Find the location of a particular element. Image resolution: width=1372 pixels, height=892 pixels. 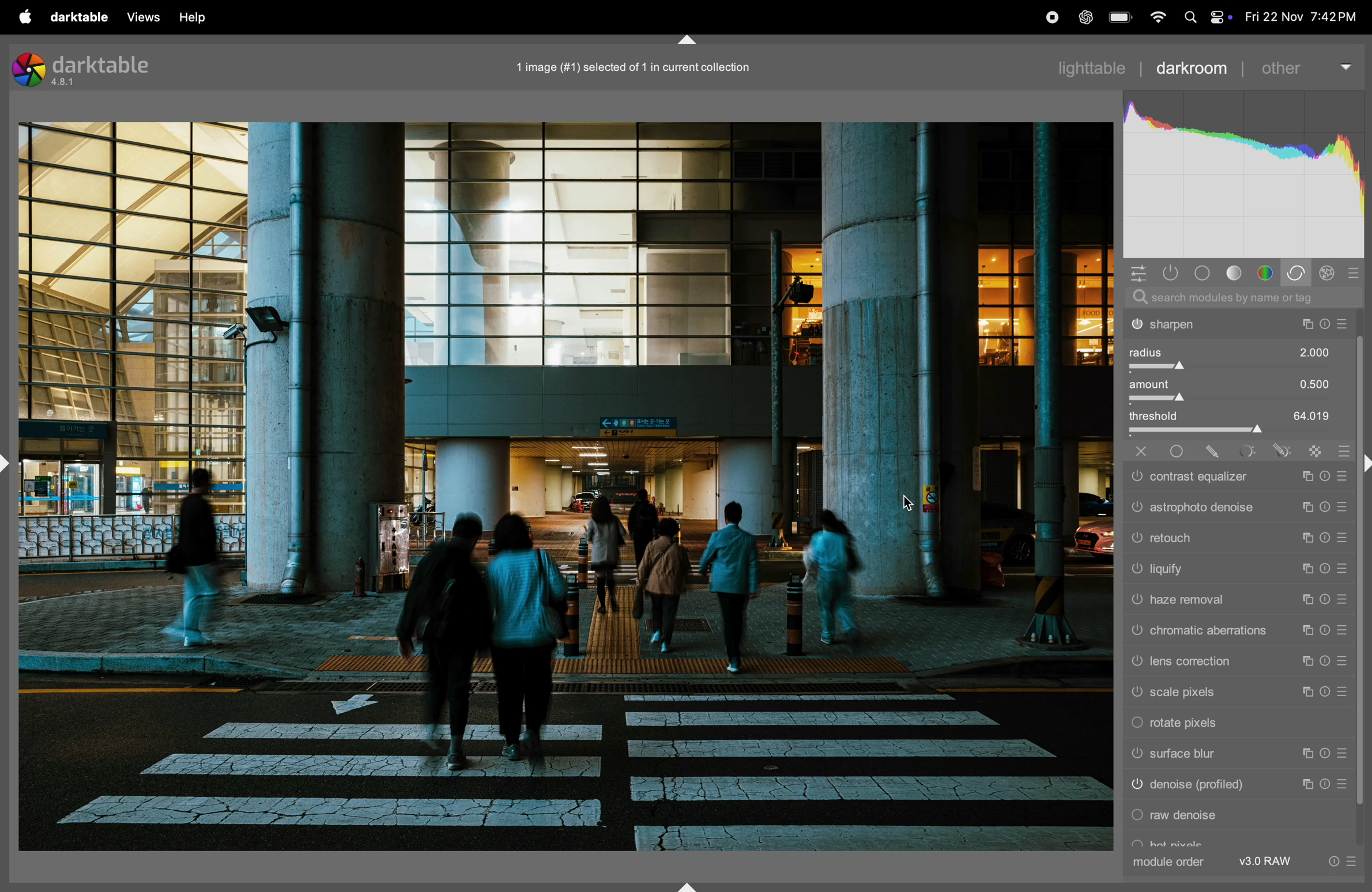

record is located at coordinates (1046, 17).